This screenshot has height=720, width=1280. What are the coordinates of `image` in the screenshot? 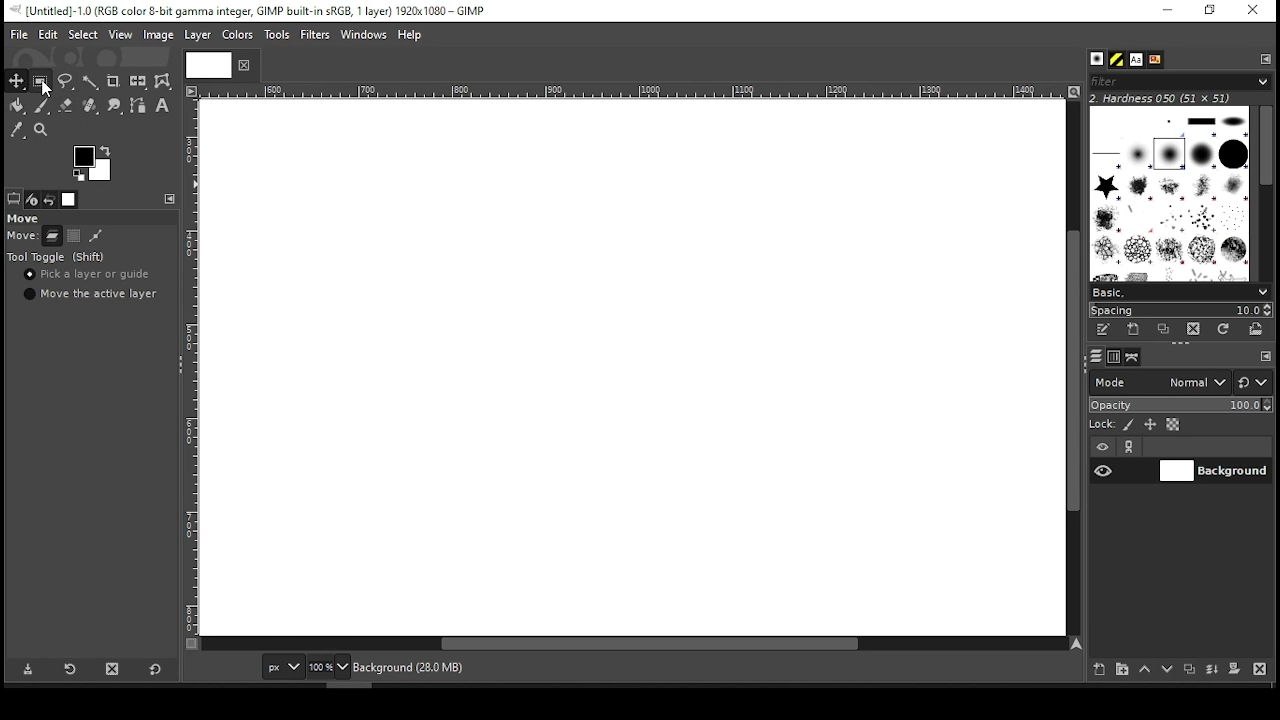 It's located at (157, 35).